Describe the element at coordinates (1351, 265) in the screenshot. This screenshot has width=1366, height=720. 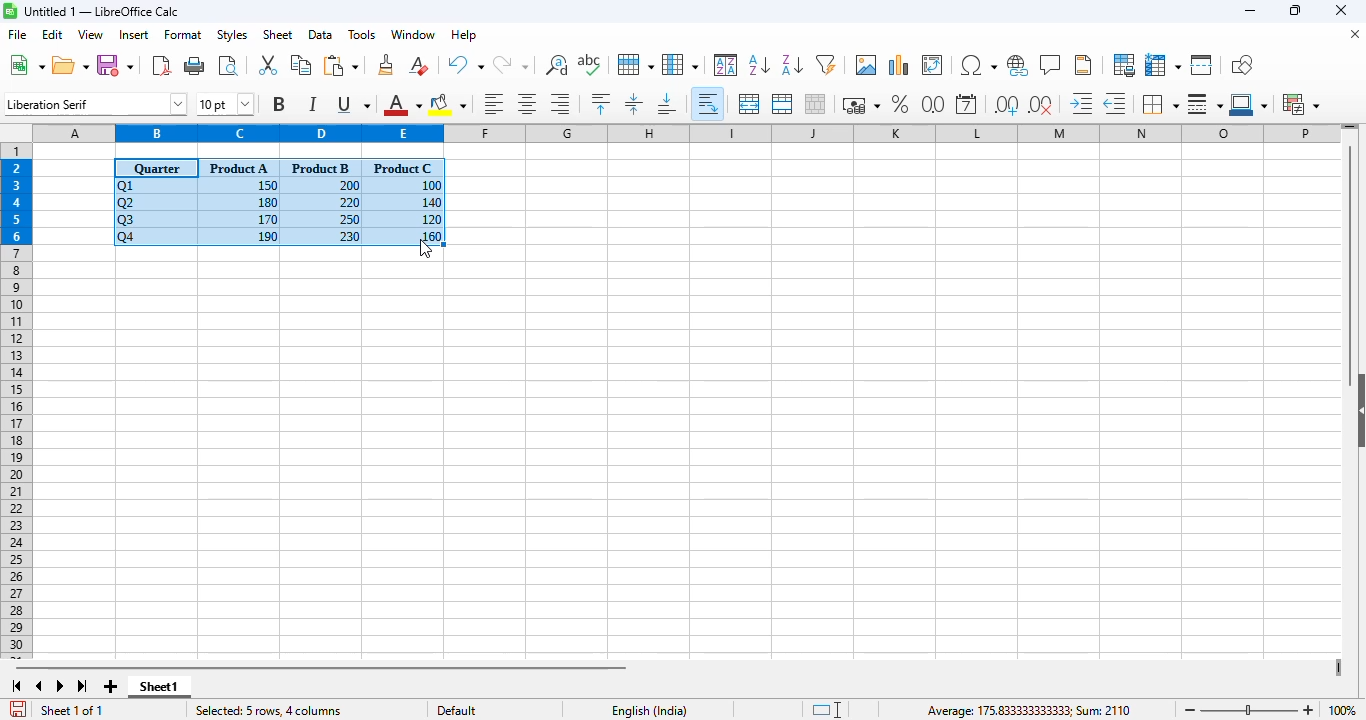
I see `vertical scroll bar` at that location.